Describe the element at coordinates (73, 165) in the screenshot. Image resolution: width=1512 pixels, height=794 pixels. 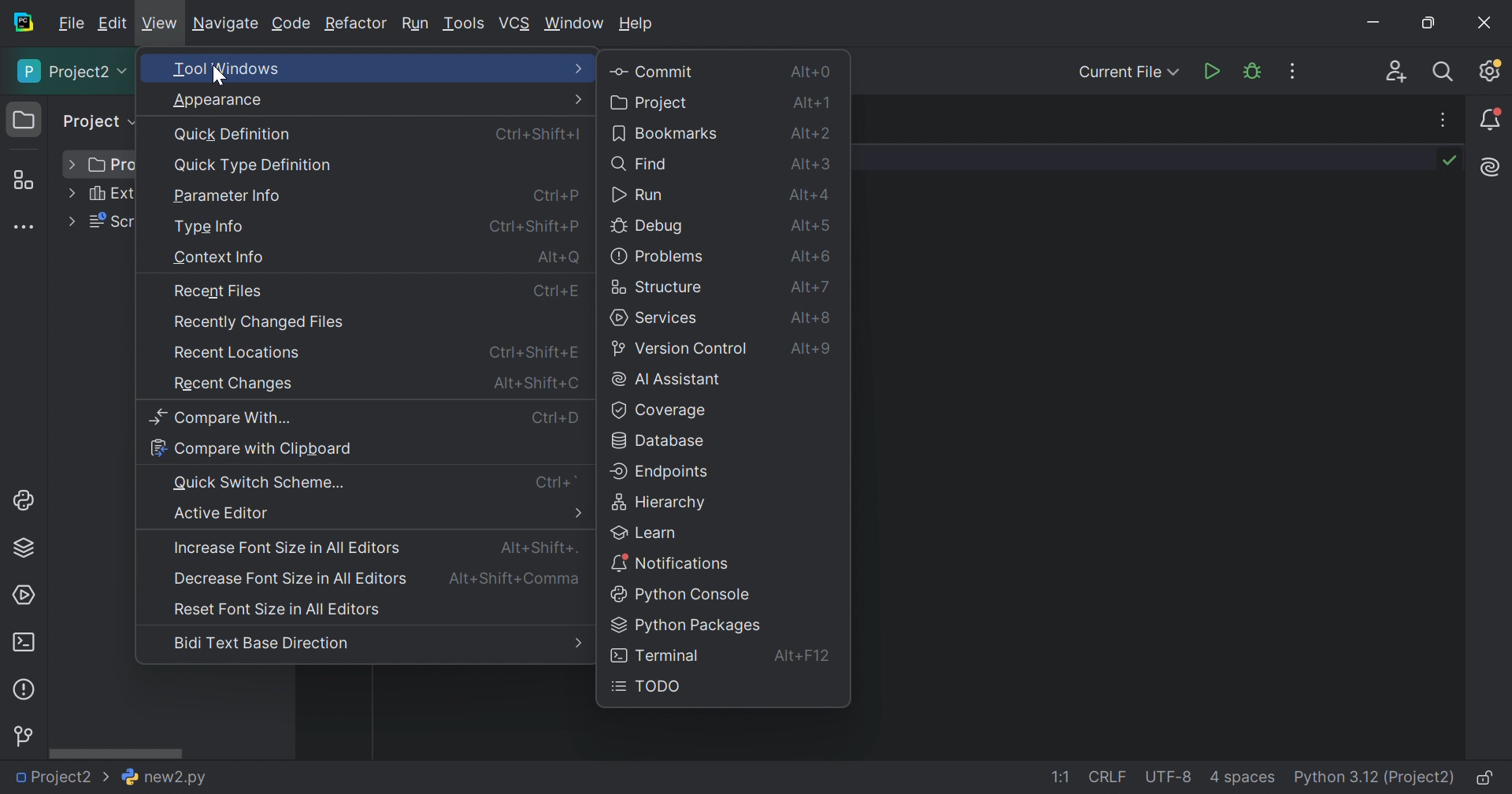
I see `More` at that location.